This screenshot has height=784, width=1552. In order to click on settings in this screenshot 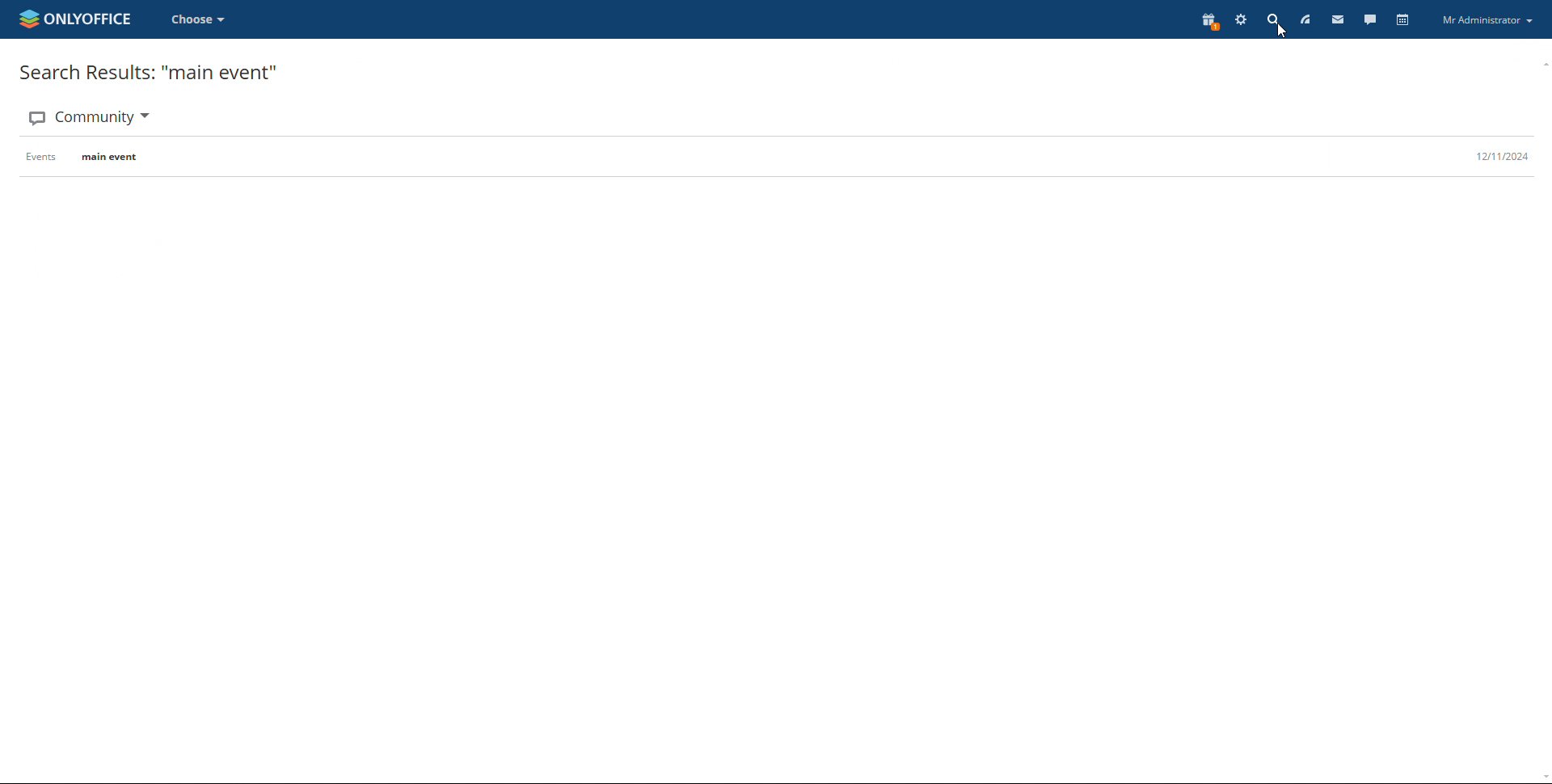, I will do `click(1242, 22)`.